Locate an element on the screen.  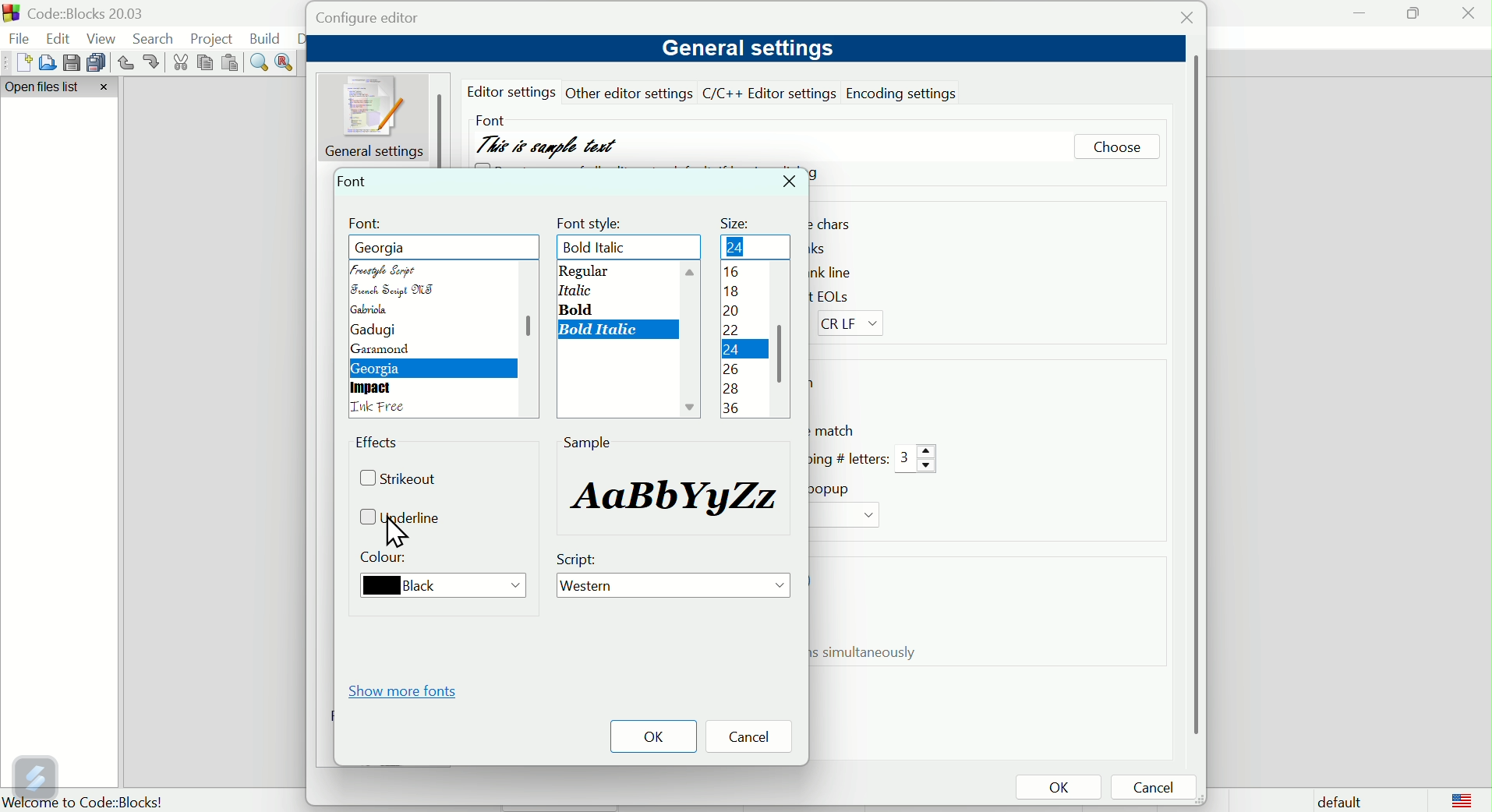
OK is located at coordinates (653, 736).